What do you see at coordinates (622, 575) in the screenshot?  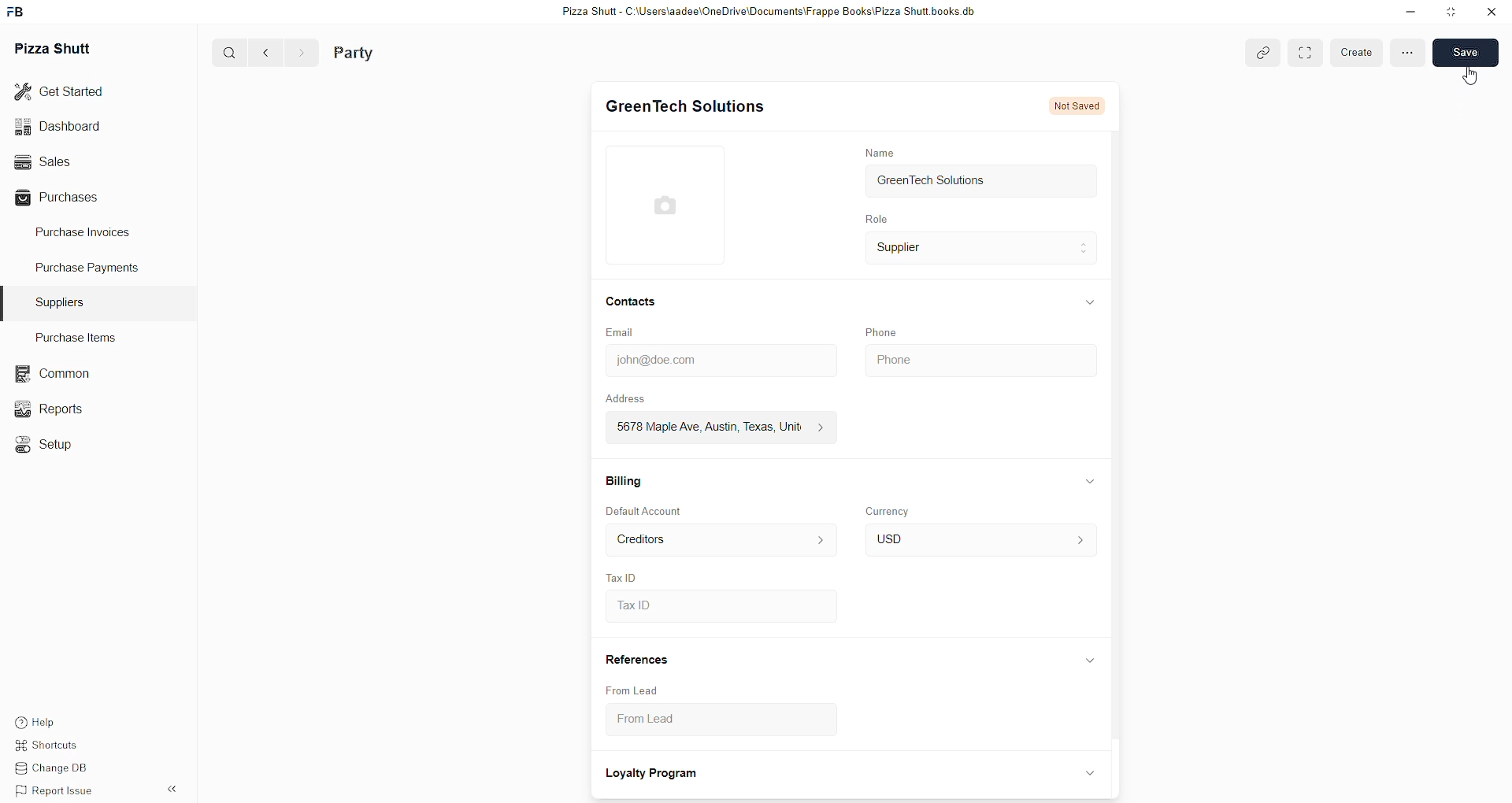 I see `Tax ID` at bounding box center [622, 575].